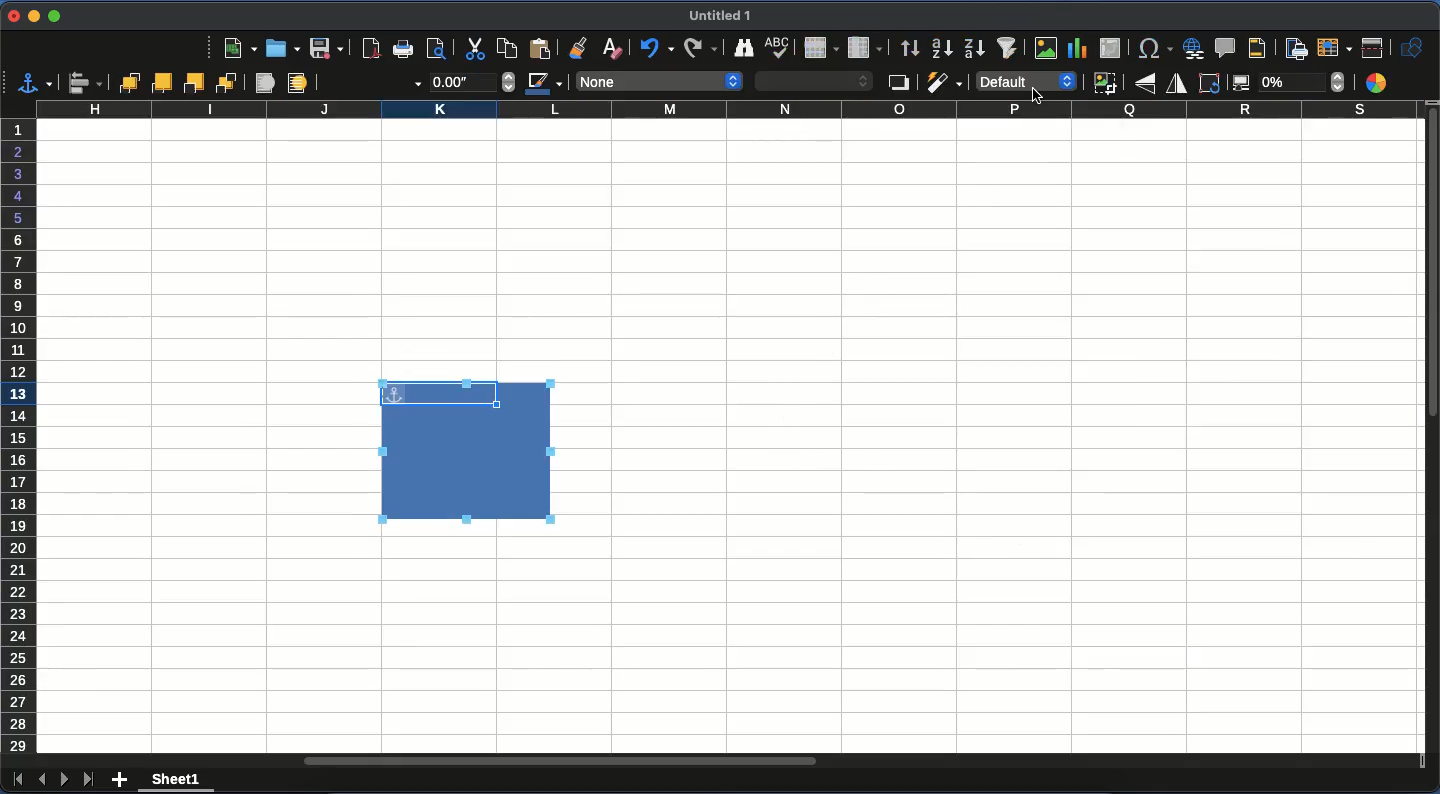 The image size is (1440, 794). I want to click on close, so click(11, 15).